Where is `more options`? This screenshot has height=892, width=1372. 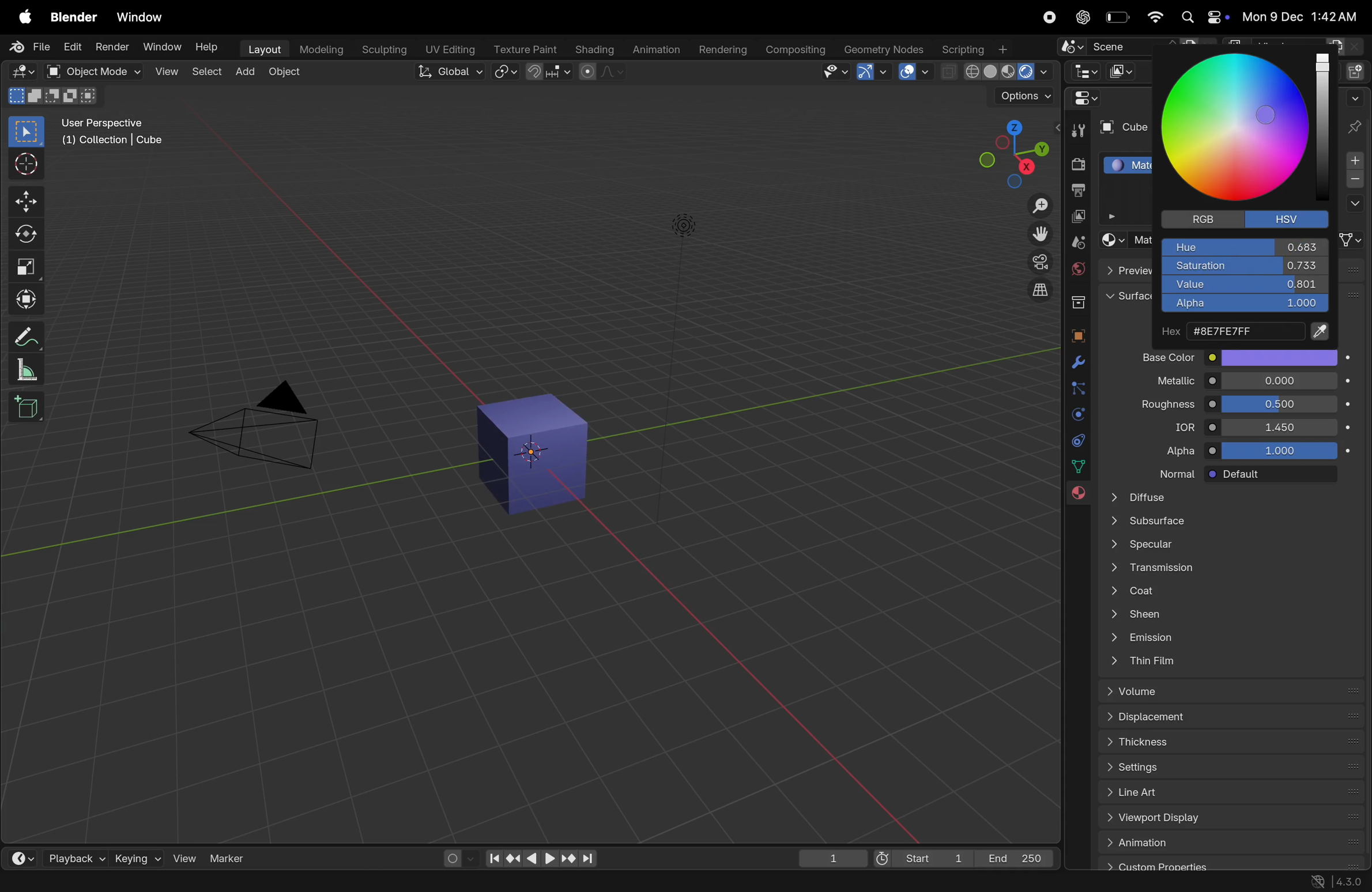
more options is located at coordinates (1354, 97).